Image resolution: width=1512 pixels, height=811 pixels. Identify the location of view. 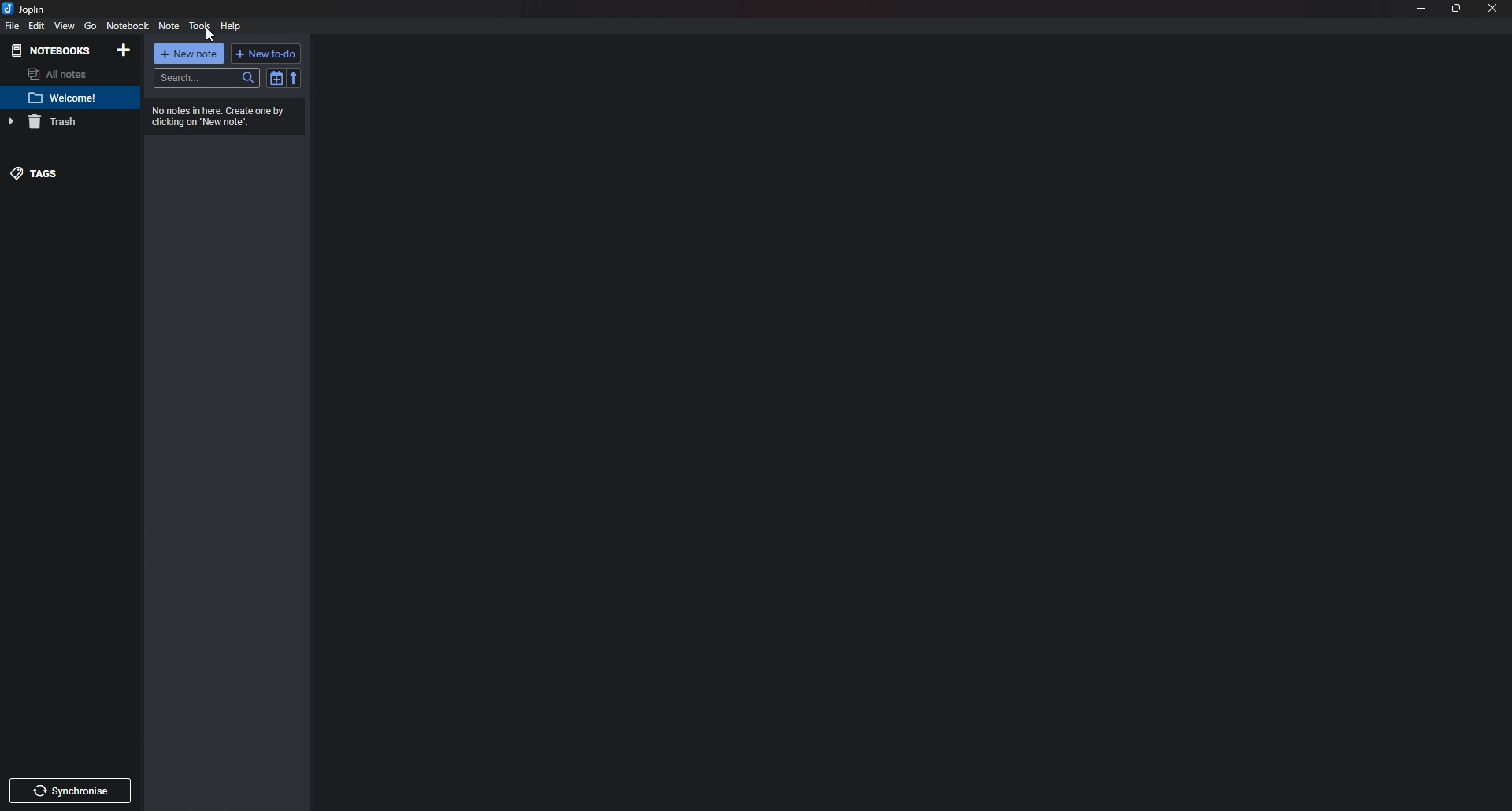
(65, 28).